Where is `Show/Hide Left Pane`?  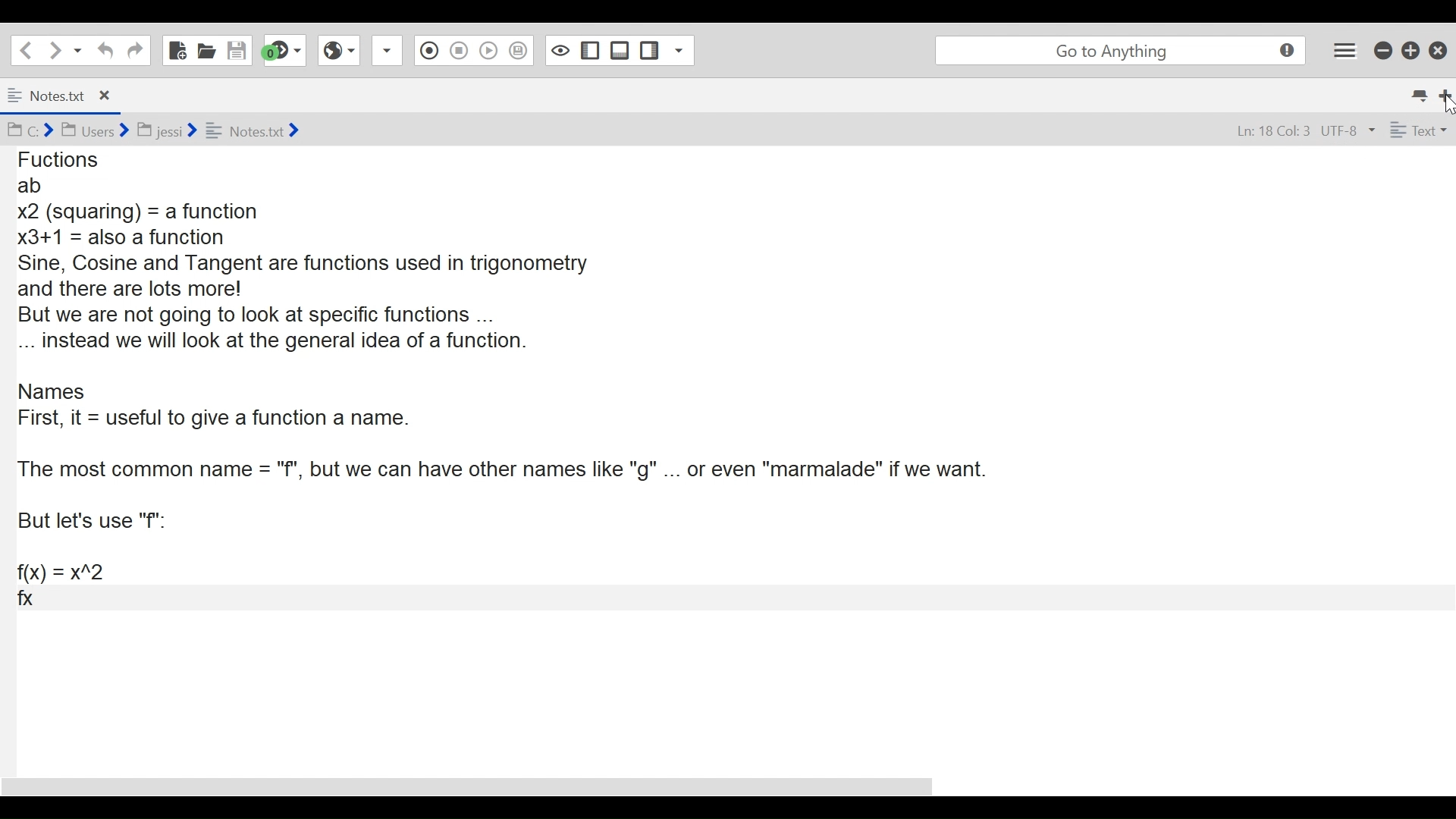
Show/Hide Left Pane is located at coordinates (588, 50).